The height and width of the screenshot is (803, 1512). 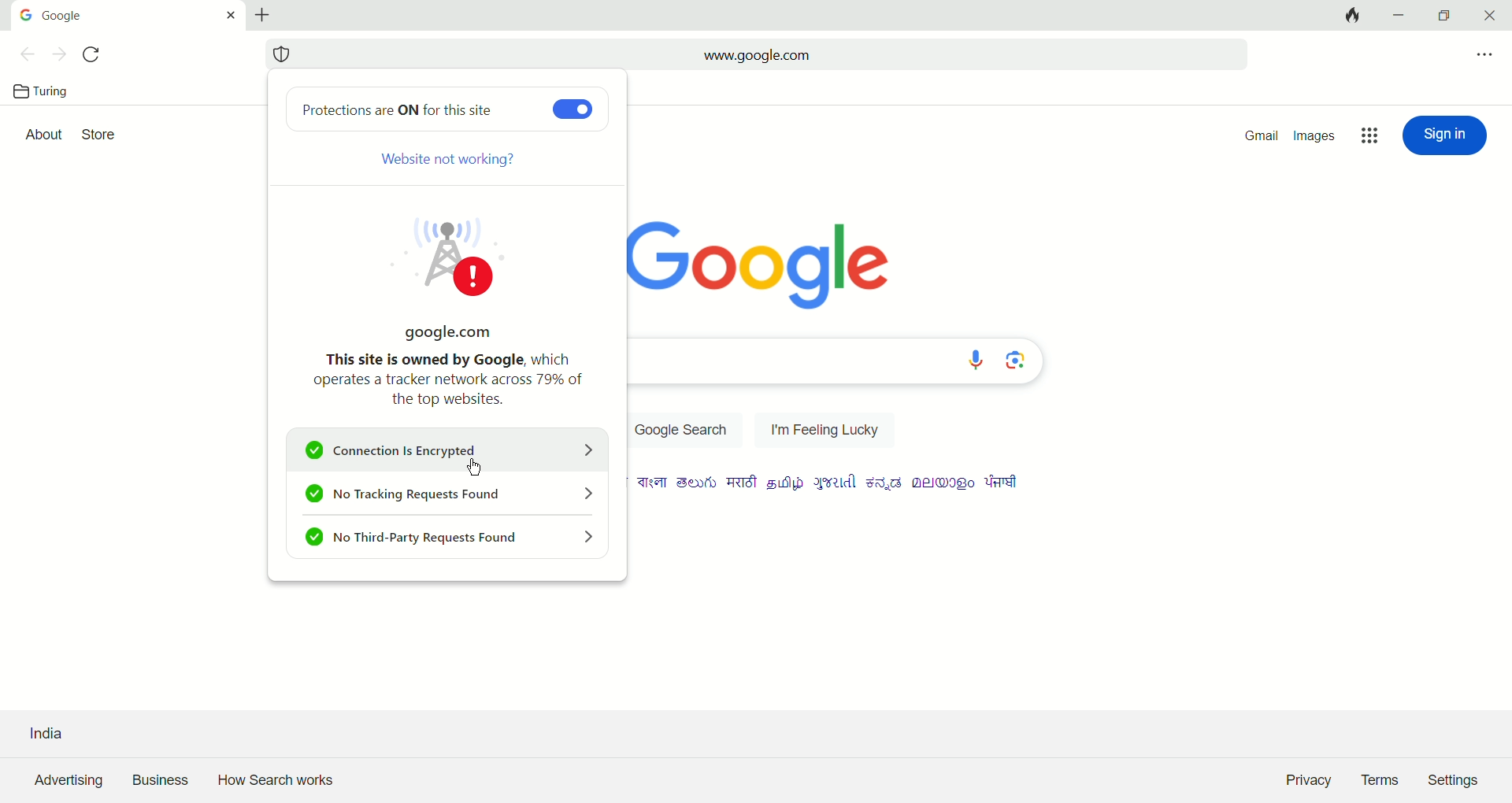 What do you see at coordinates (450, 539) in the screenshot?
I see `No Third Party request Found` at bounding box center [450, 539].